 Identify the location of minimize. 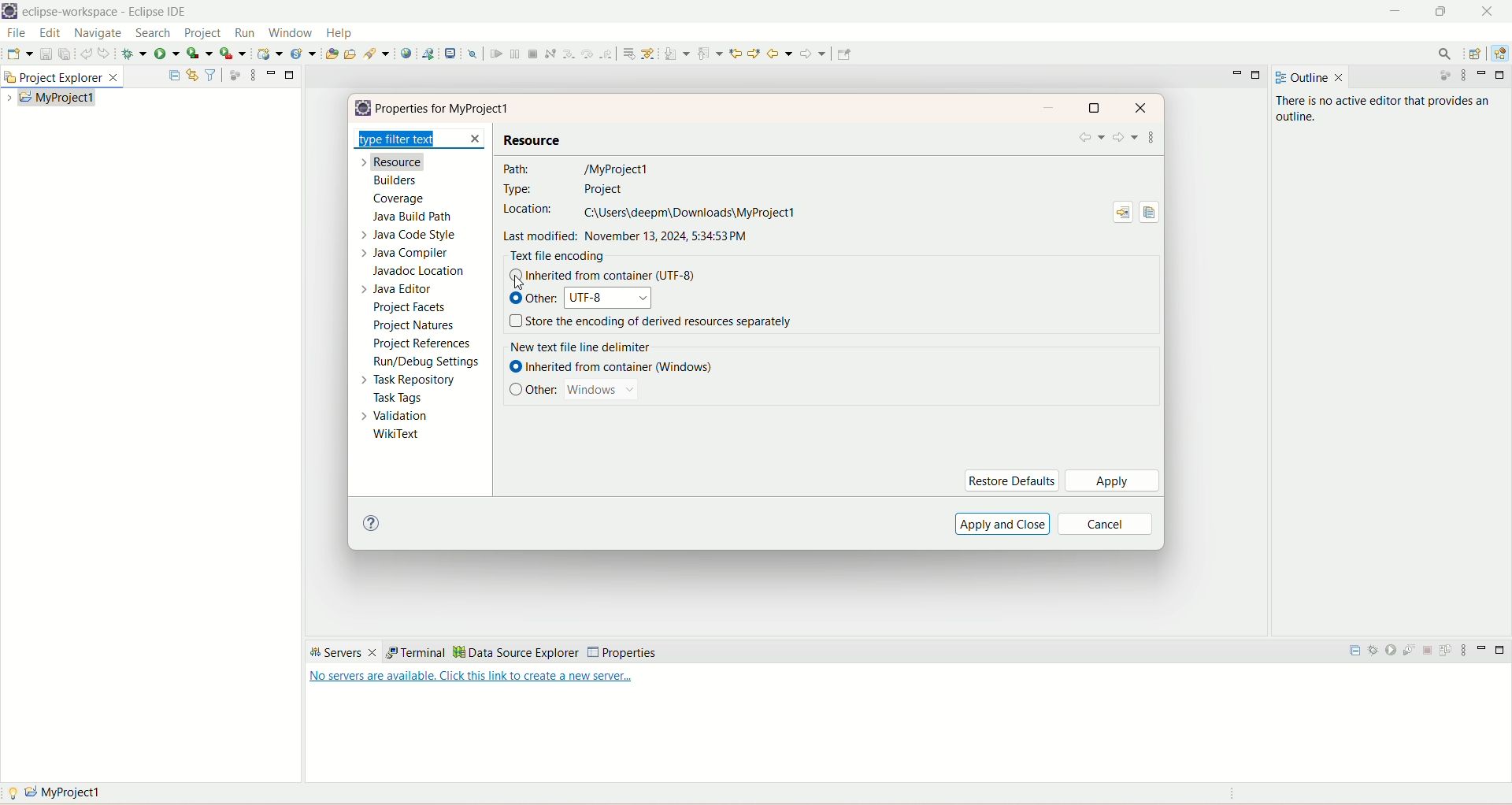
(1480, 653).